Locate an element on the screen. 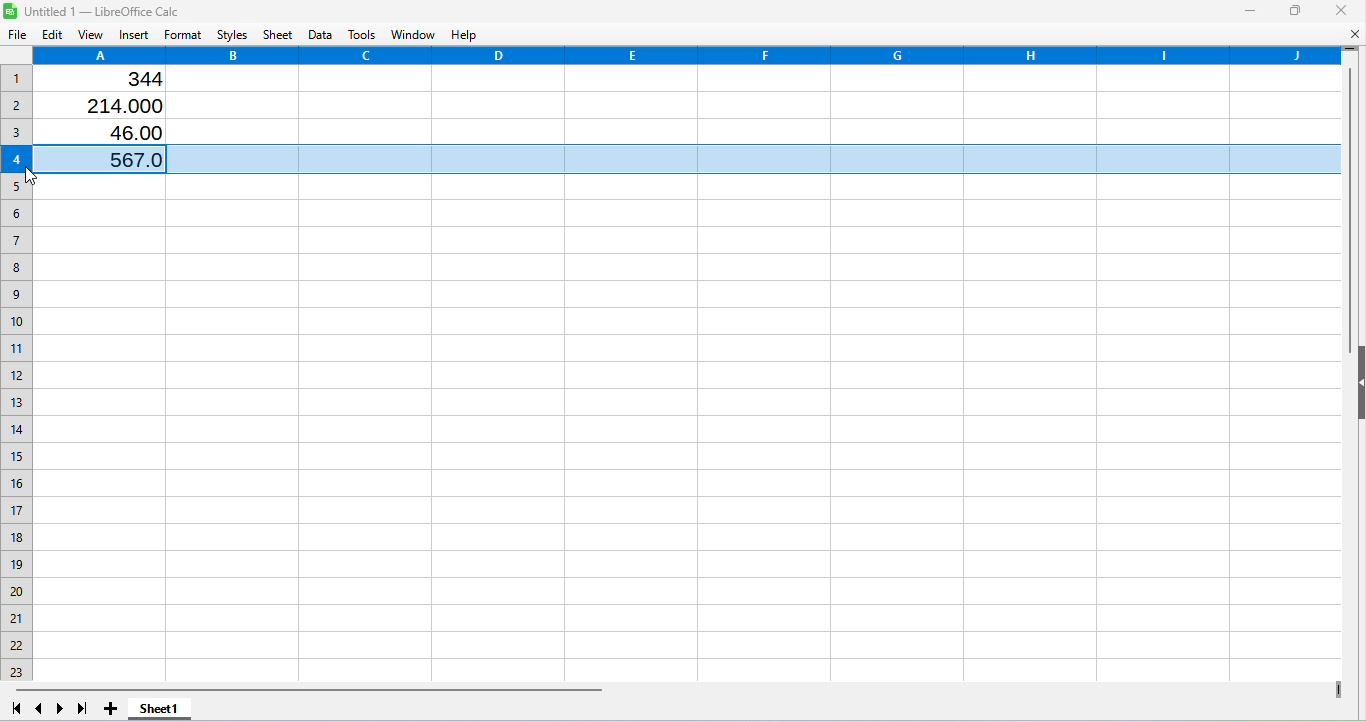 This screenshot has height=722, width=1366. Minimize is located at coordinates (1248, 12).